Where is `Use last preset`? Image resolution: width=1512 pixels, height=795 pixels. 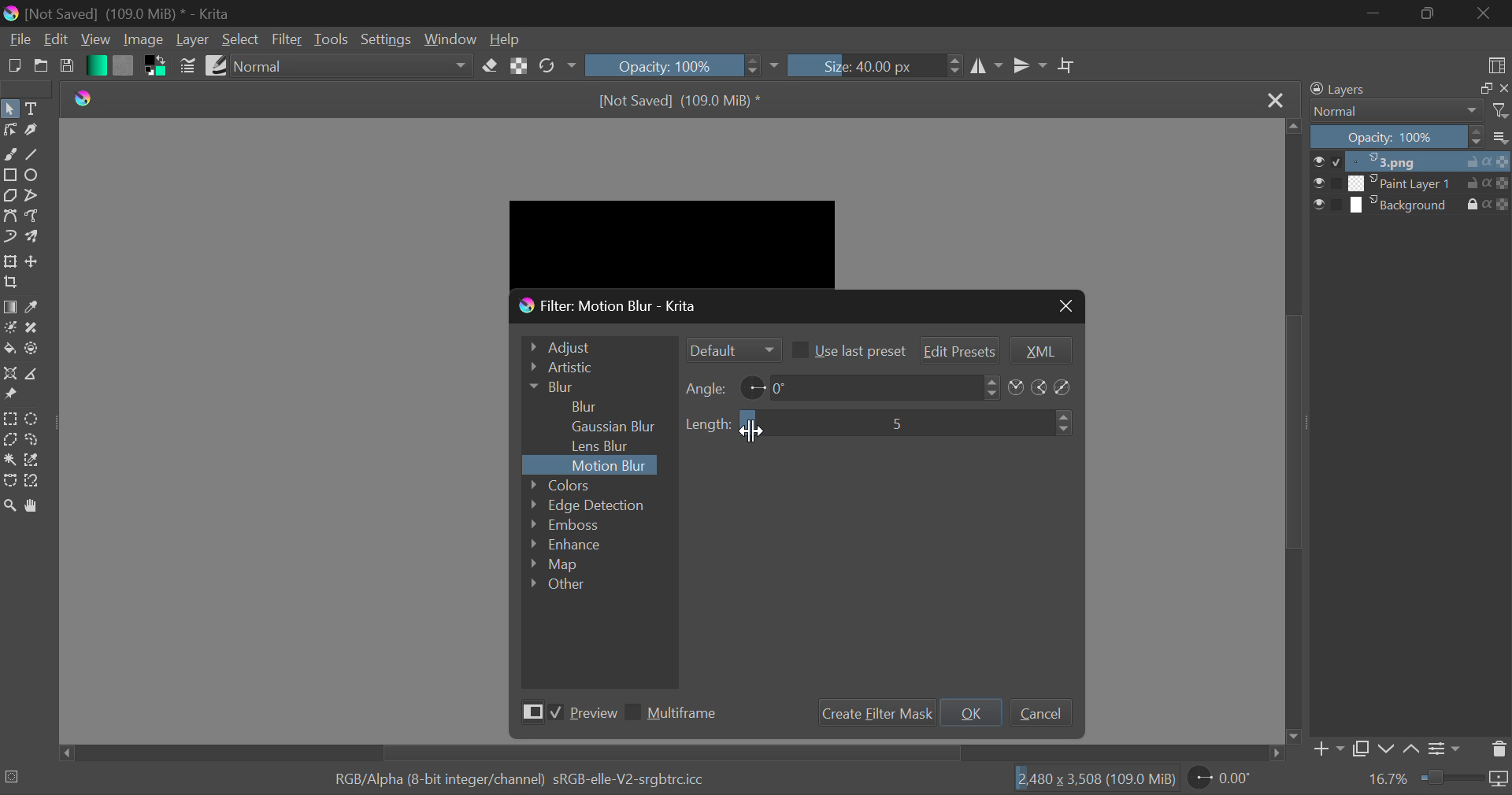
Use last preset is located at coordinates (847, 349).